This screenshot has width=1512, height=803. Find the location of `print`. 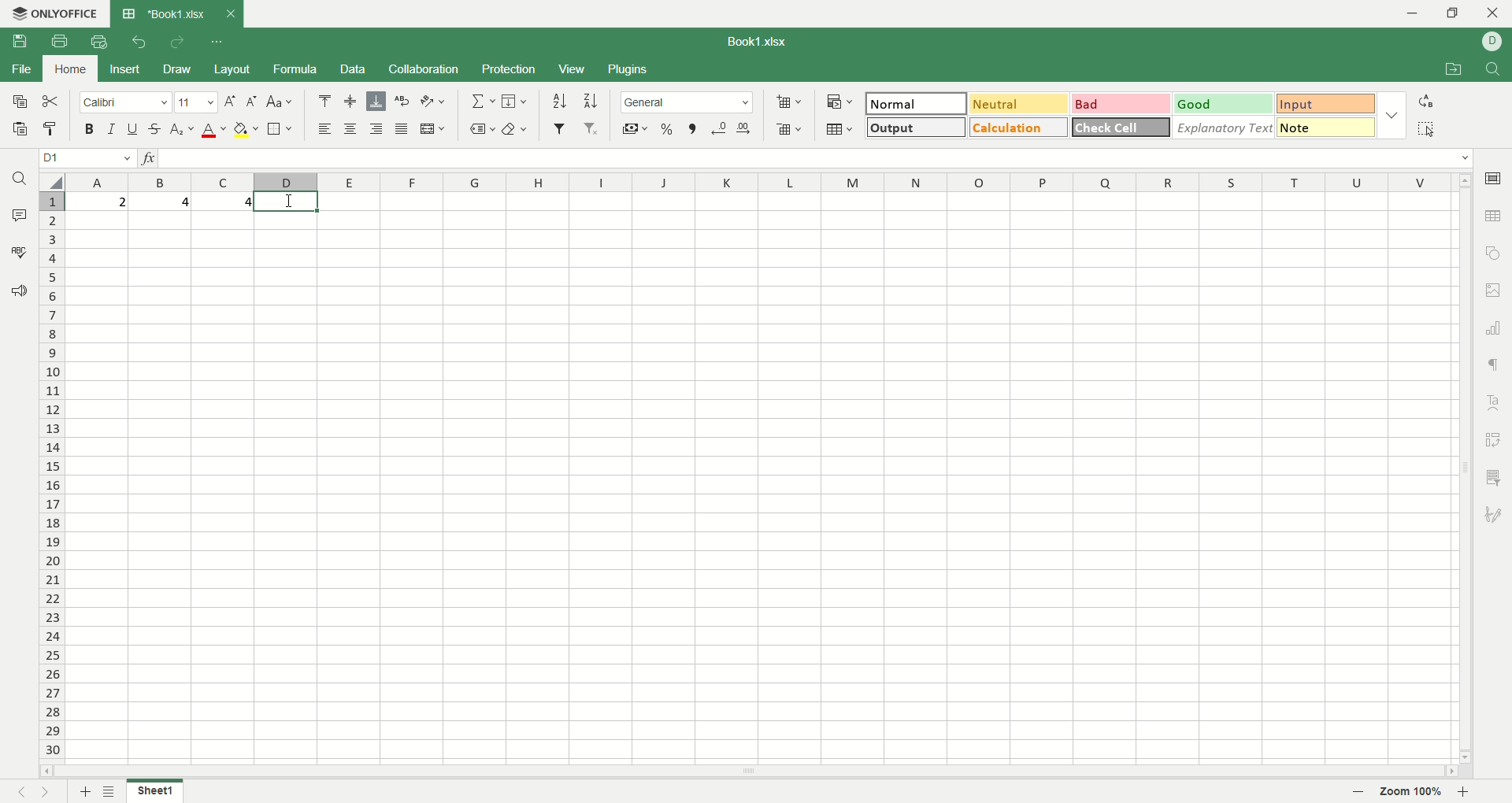

print is located at coordinates (61, 41).